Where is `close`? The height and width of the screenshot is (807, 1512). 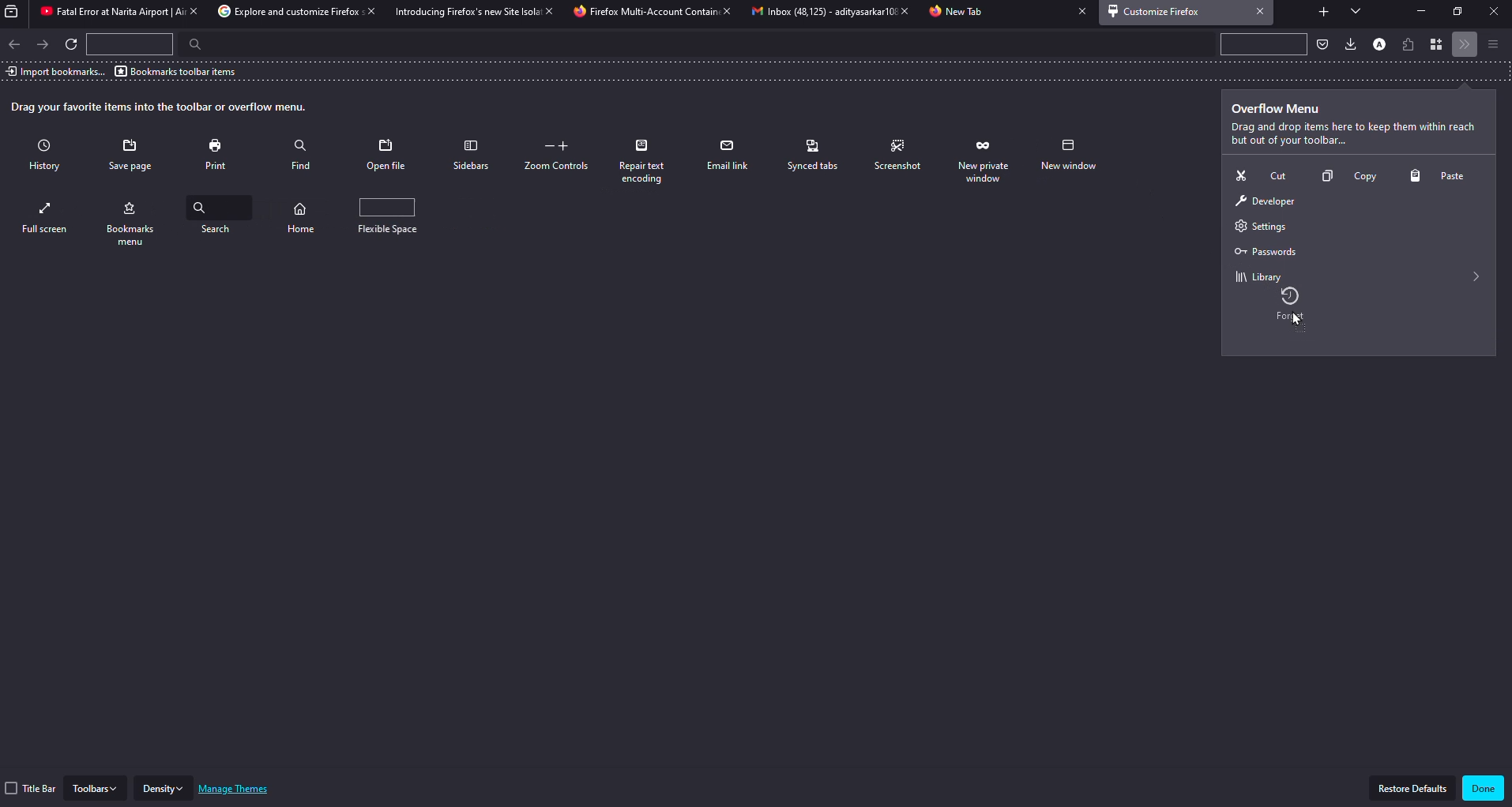 close is located at coordinates (1492, 12).